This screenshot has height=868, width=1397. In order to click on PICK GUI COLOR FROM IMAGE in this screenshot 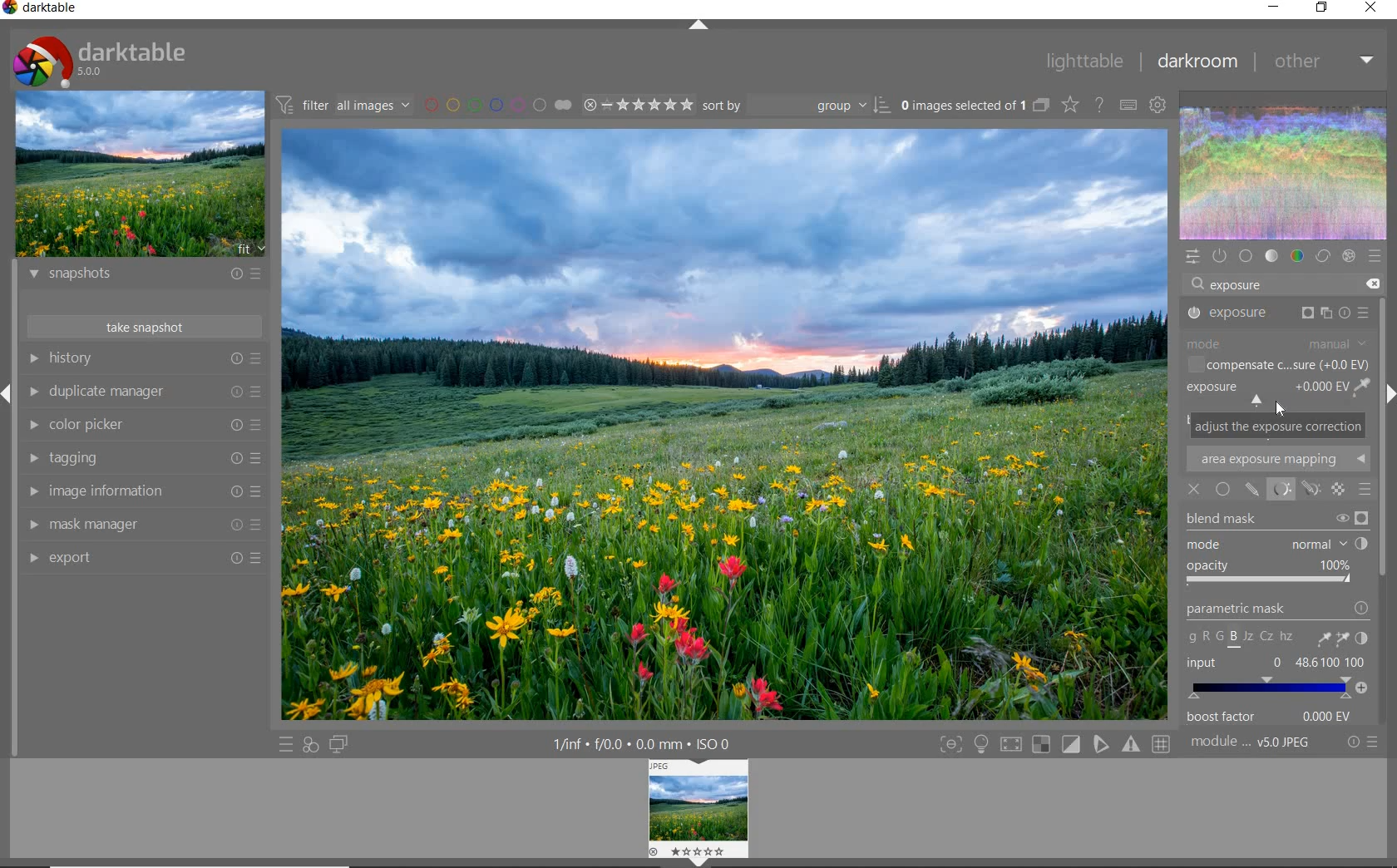, I will do `click(1364, 389)`.